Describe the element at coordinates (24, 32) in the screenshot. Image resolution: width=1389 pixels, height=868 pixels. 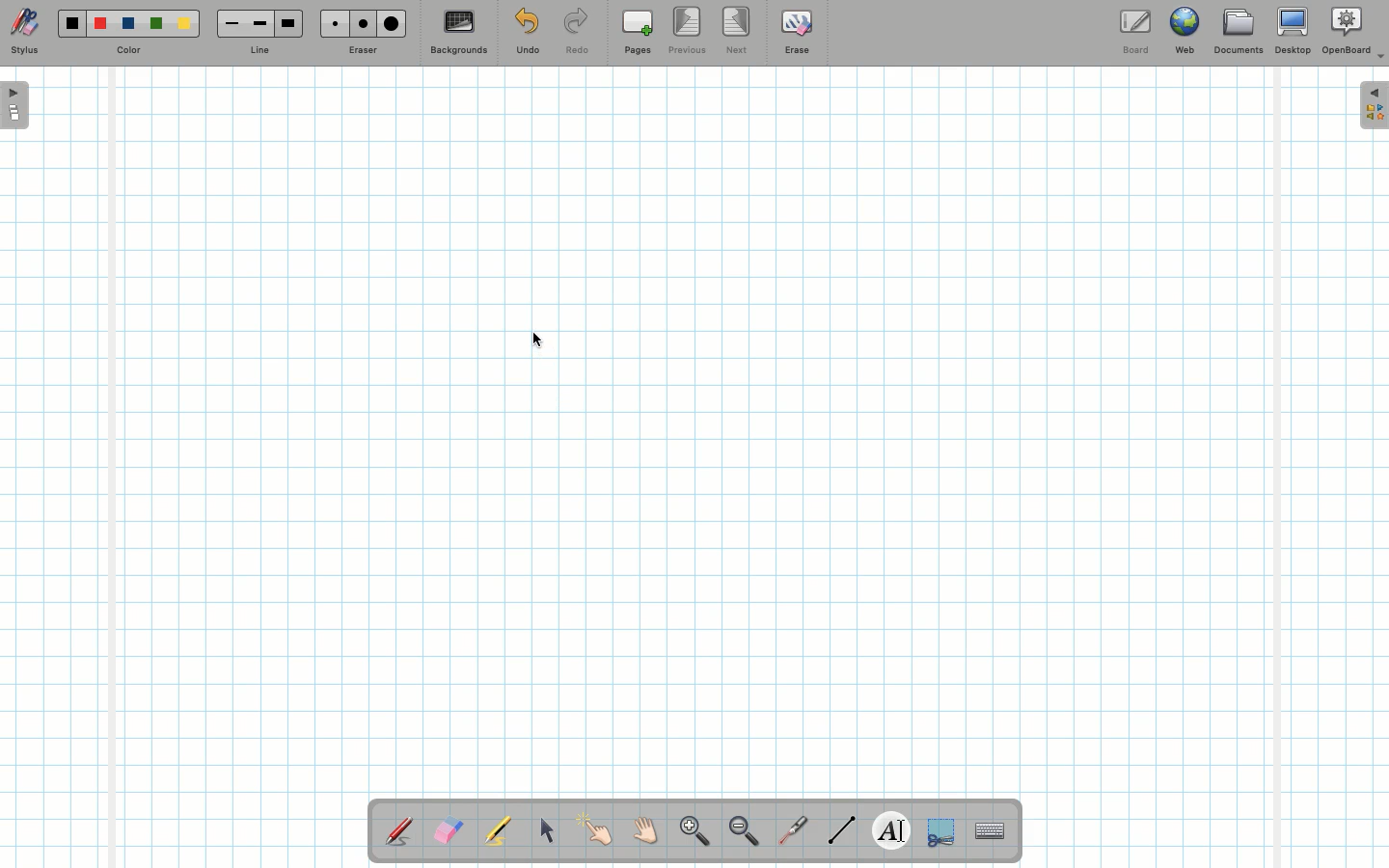
I see `Stylus` at that location.